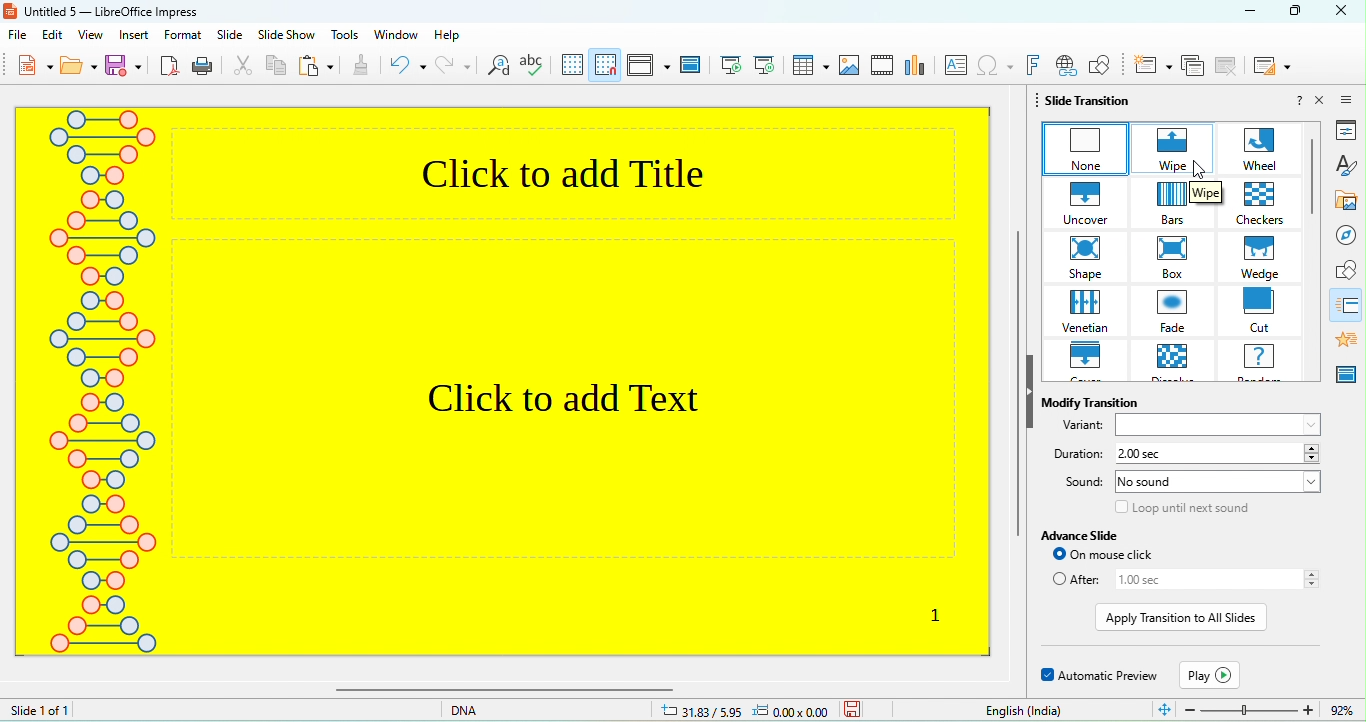  I want to click on wipe, so click(1174, 151).